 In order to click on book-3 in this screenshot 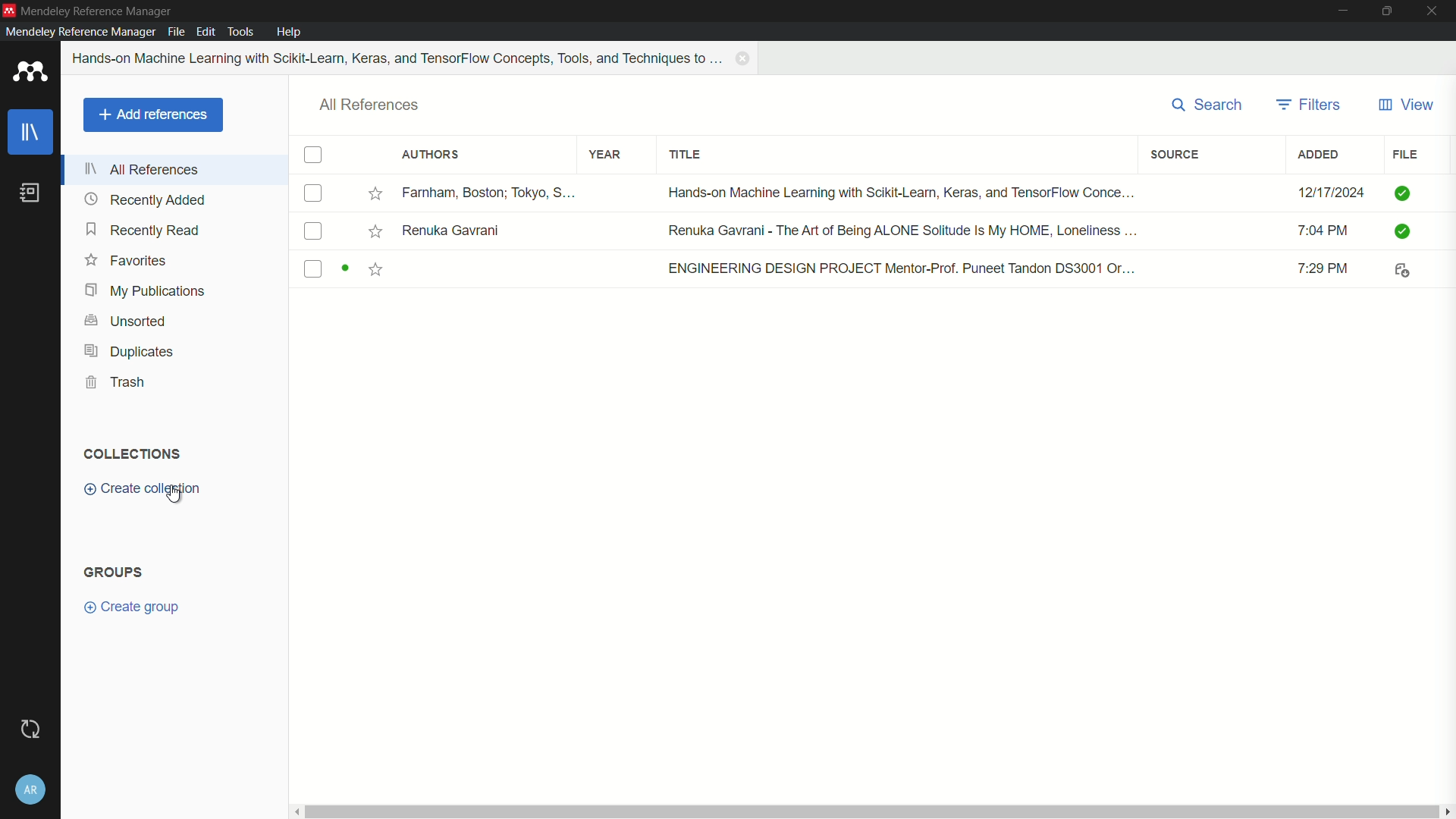, I will do `click(865, 270)`.